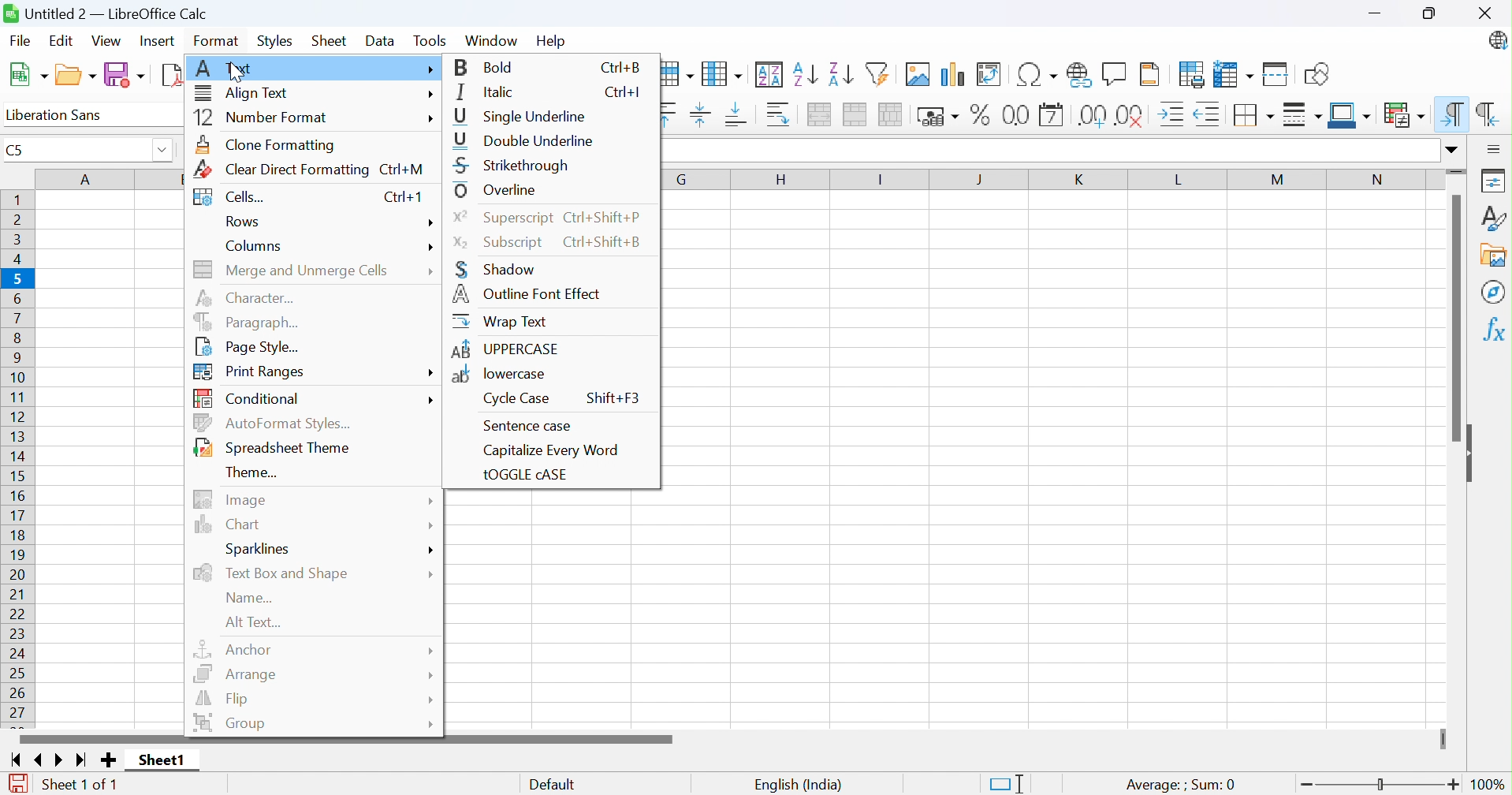  Describe the element at coordinates (736, 114) in the screenshot. I see `Align bottom` at that location.